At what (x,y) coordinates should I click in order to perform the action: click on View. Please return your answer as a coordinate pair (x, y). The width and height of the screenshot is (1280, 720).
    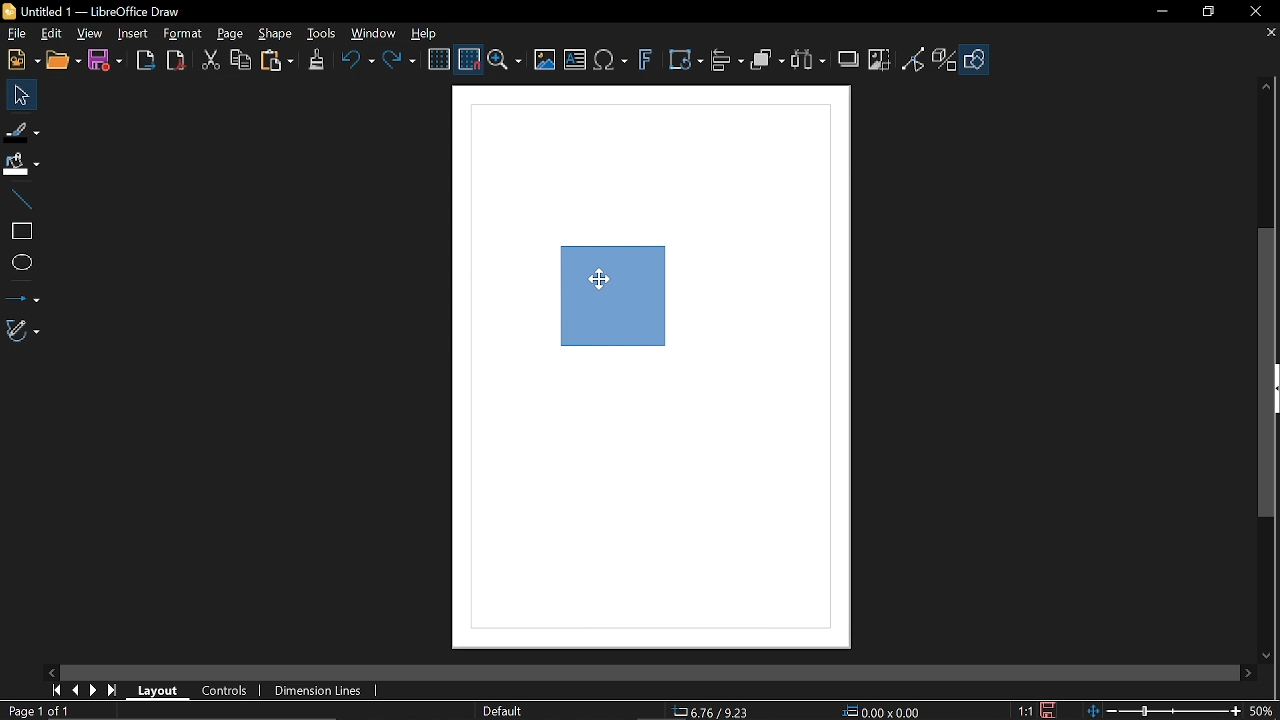
    Looking at the image, I should click on (88, 35).